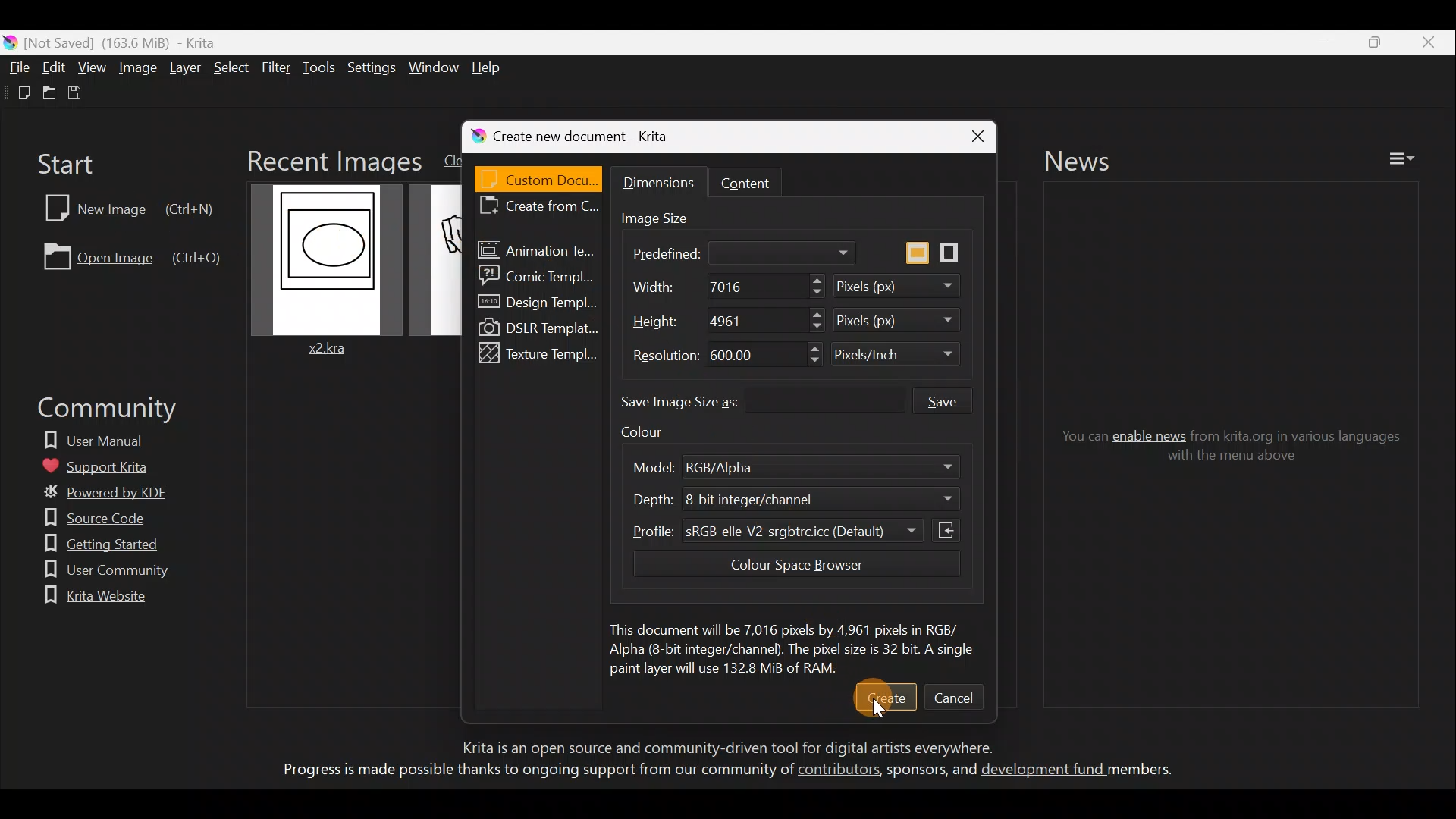  Describe the element at coordinates (718, 762) in the screenshot. I see `Krita is an open source and community driven tool for digital artists everywhere. Progress is made possible, thanks to ongoing support from our community of contributors, sponsors and development fund members` at that location.